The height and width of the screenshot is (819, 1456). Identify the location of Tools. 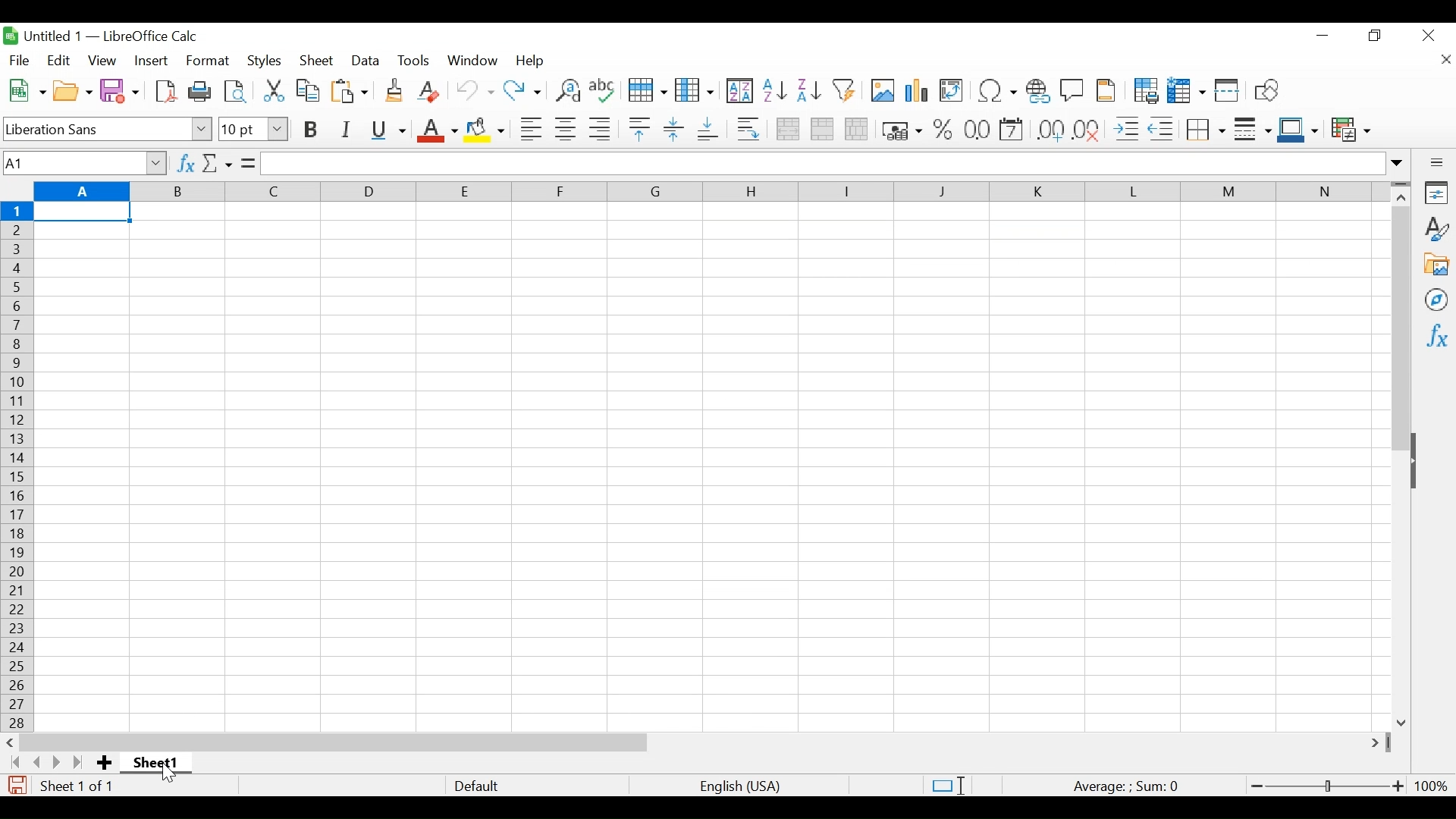
(415, 61).